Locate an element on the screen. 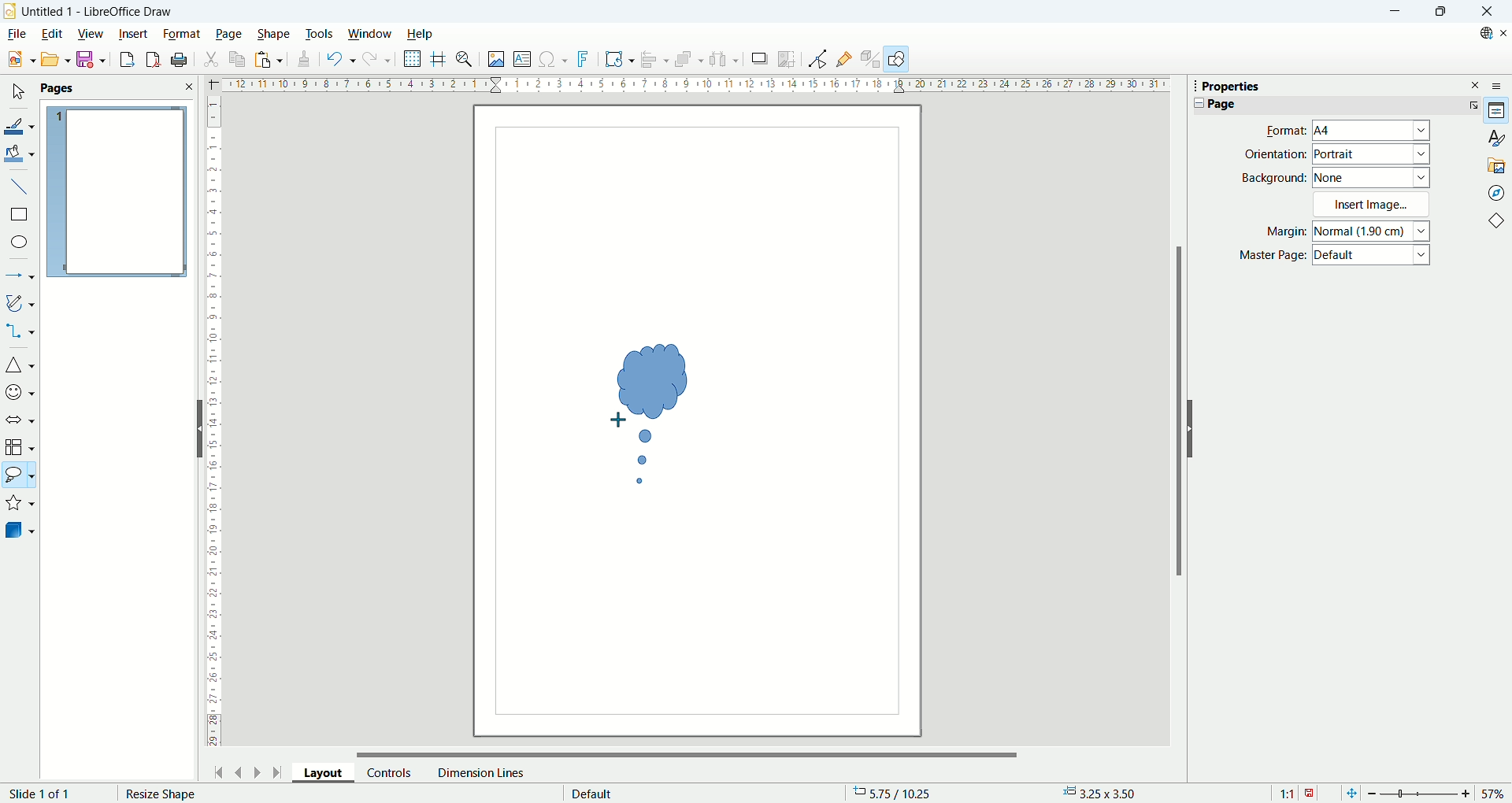  Sidebar settings is located at coordinates (1501, 85).